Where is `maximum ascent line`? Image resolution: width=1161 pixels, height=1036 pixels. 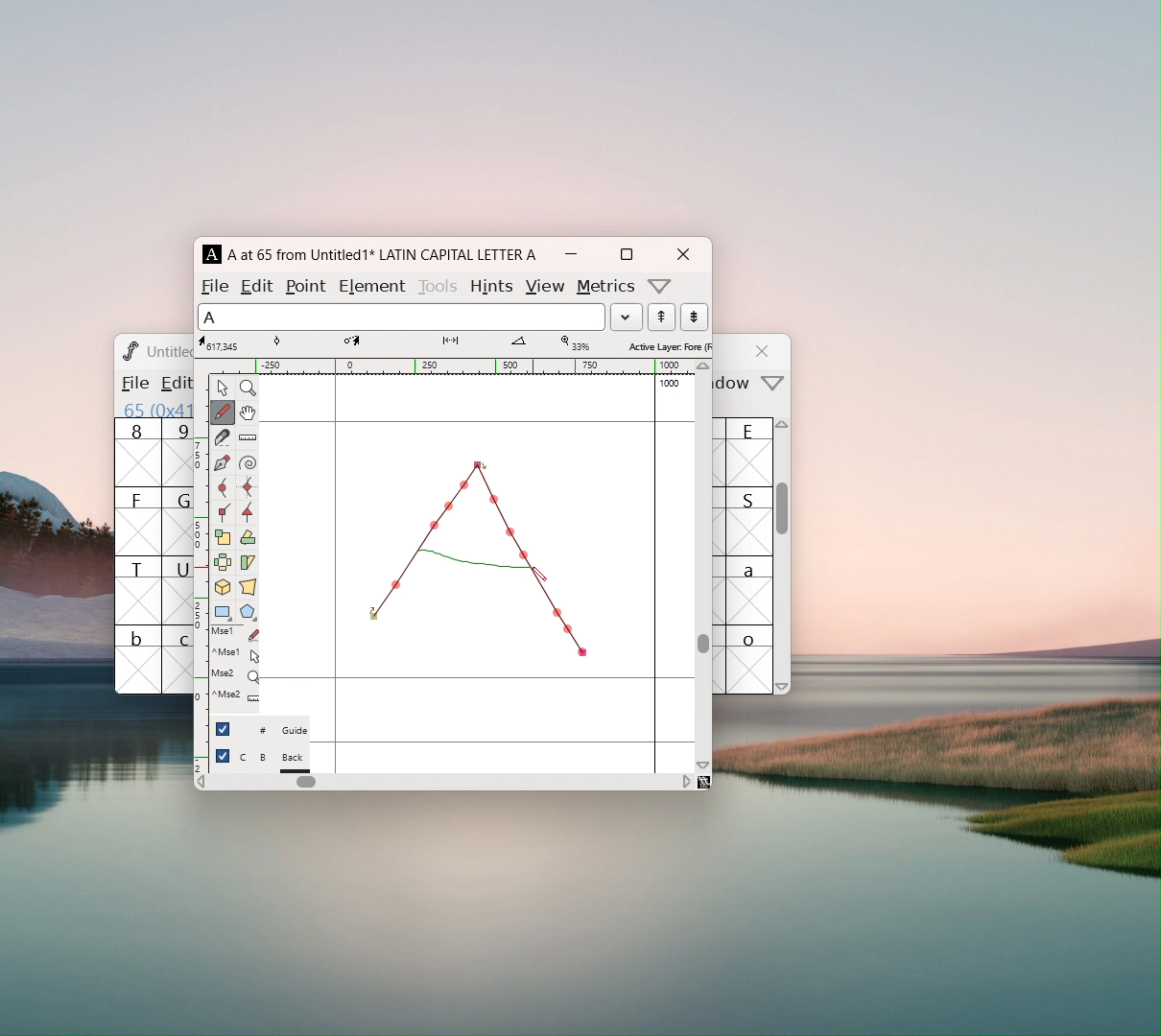 maximum ascent line is located at coordinates (477, 422).